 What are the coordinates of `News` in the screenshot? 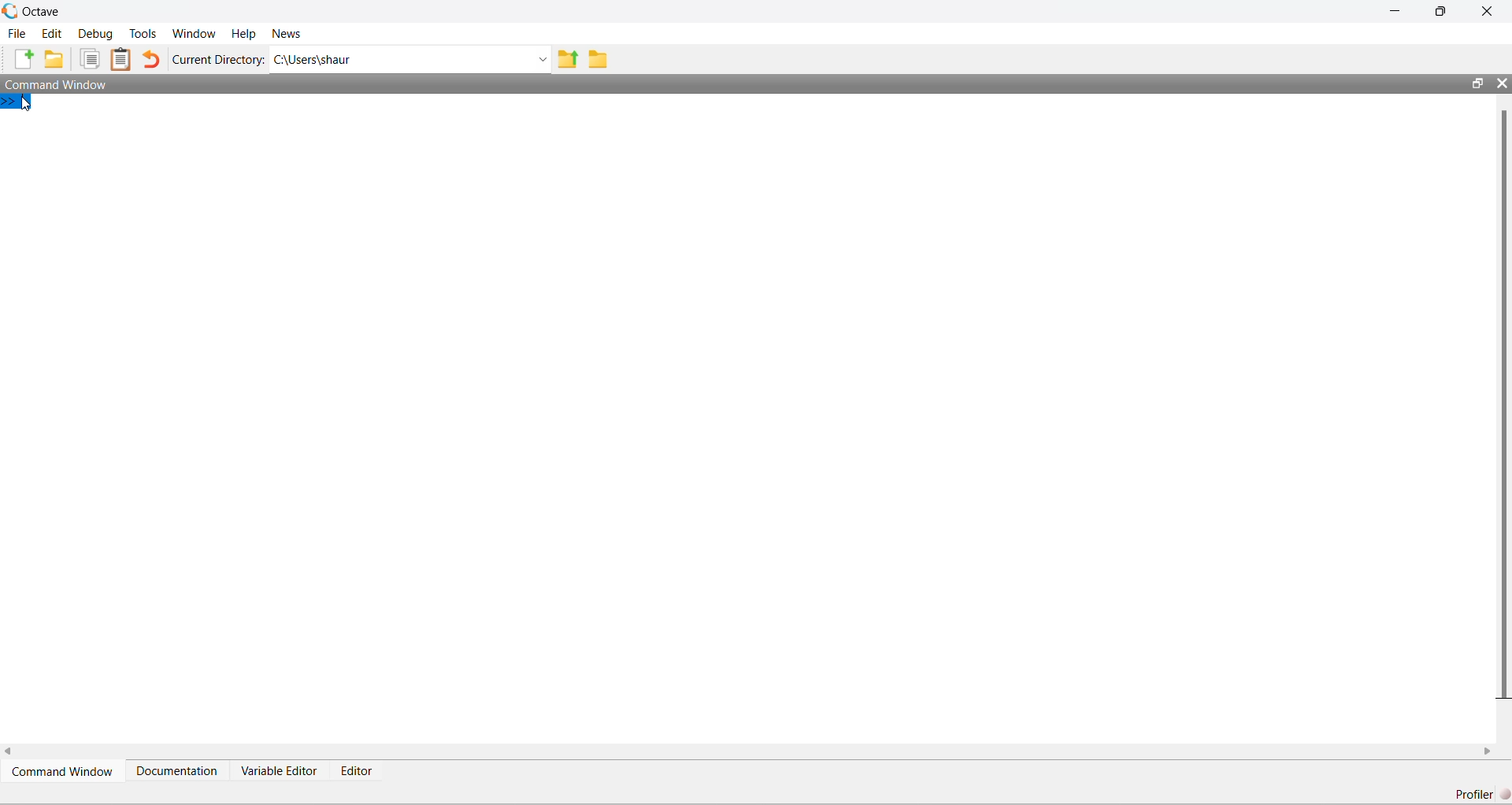 It's located at (287, 33).